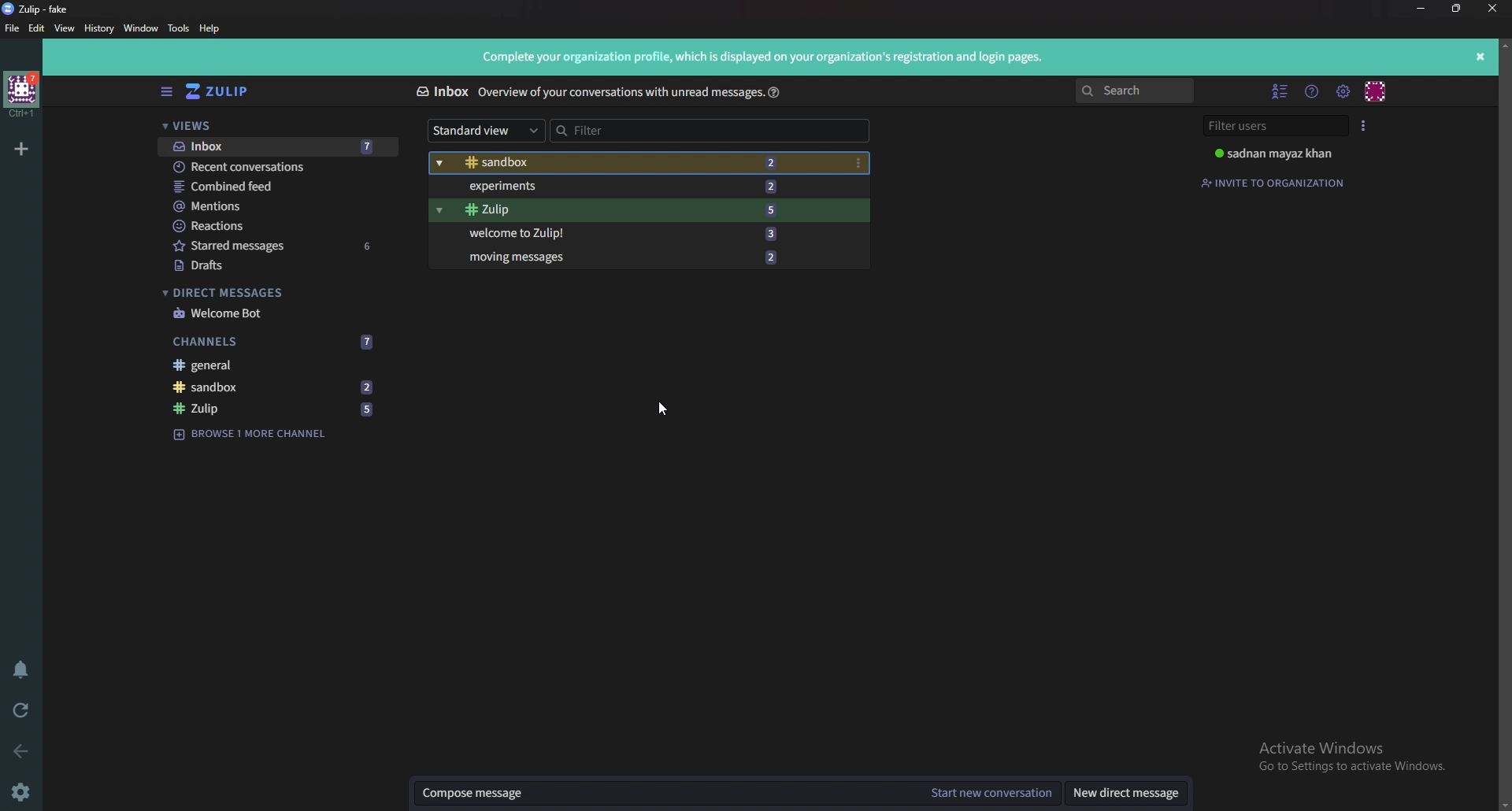 This screenshot has width=1512, height=811. I want to click on Resize, so click(1460, 9).